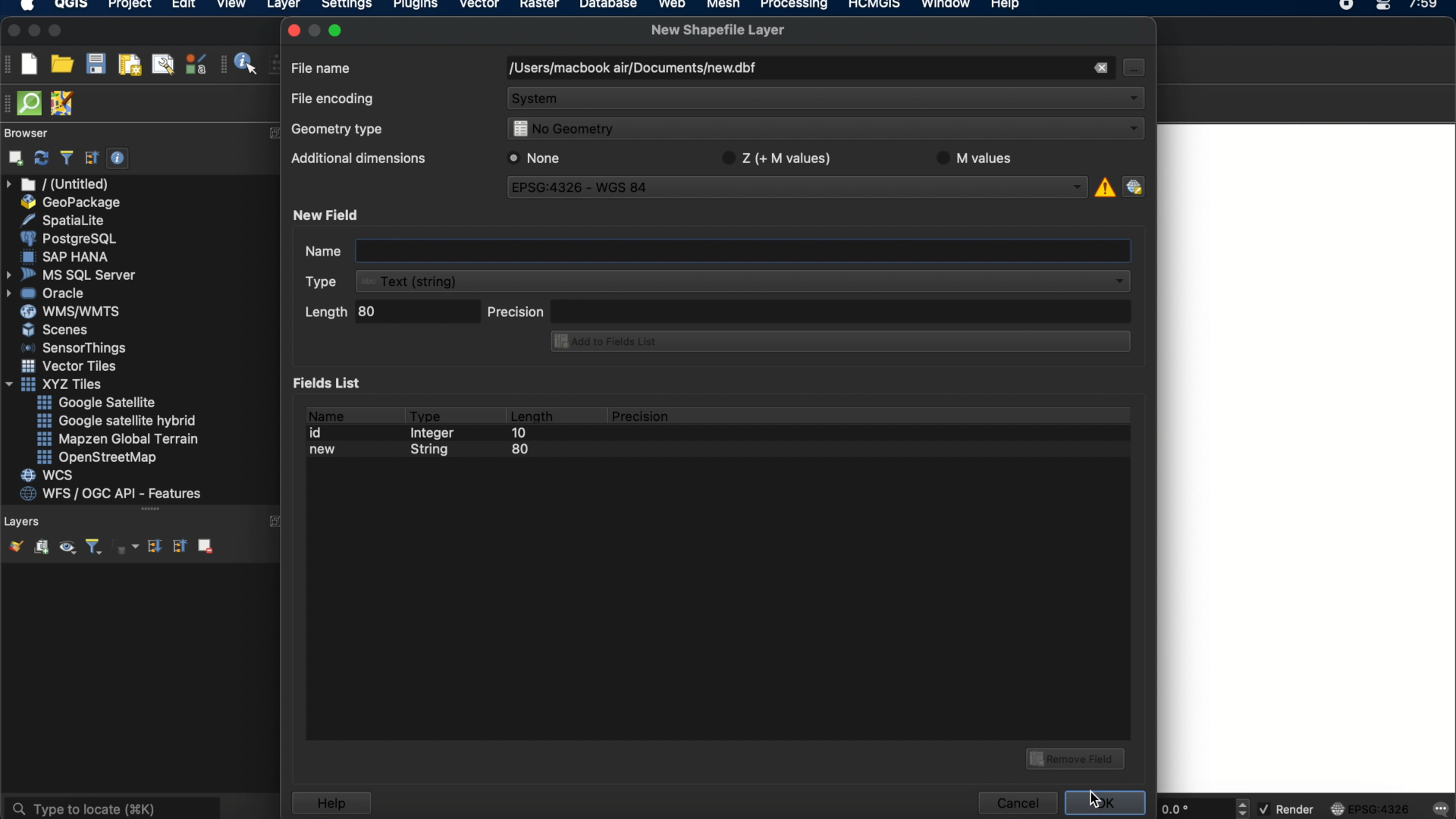 This screenshot has width=1456, height=819. What do you see at coordinates (949, 6) in the screenshot?
I see `window` at bounding box center [949, 6].